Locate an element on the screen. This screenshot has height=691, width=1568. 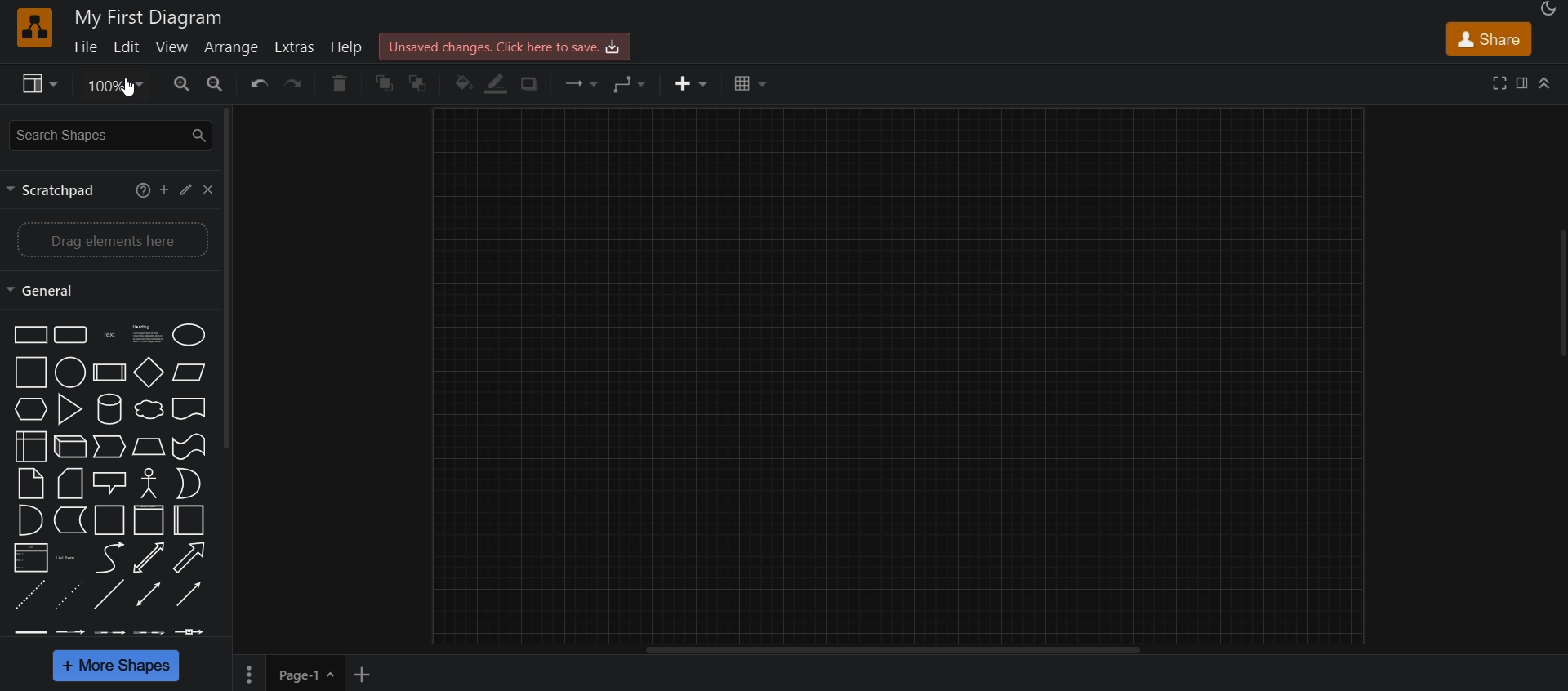
fill color is located at coordinates (464, 84).